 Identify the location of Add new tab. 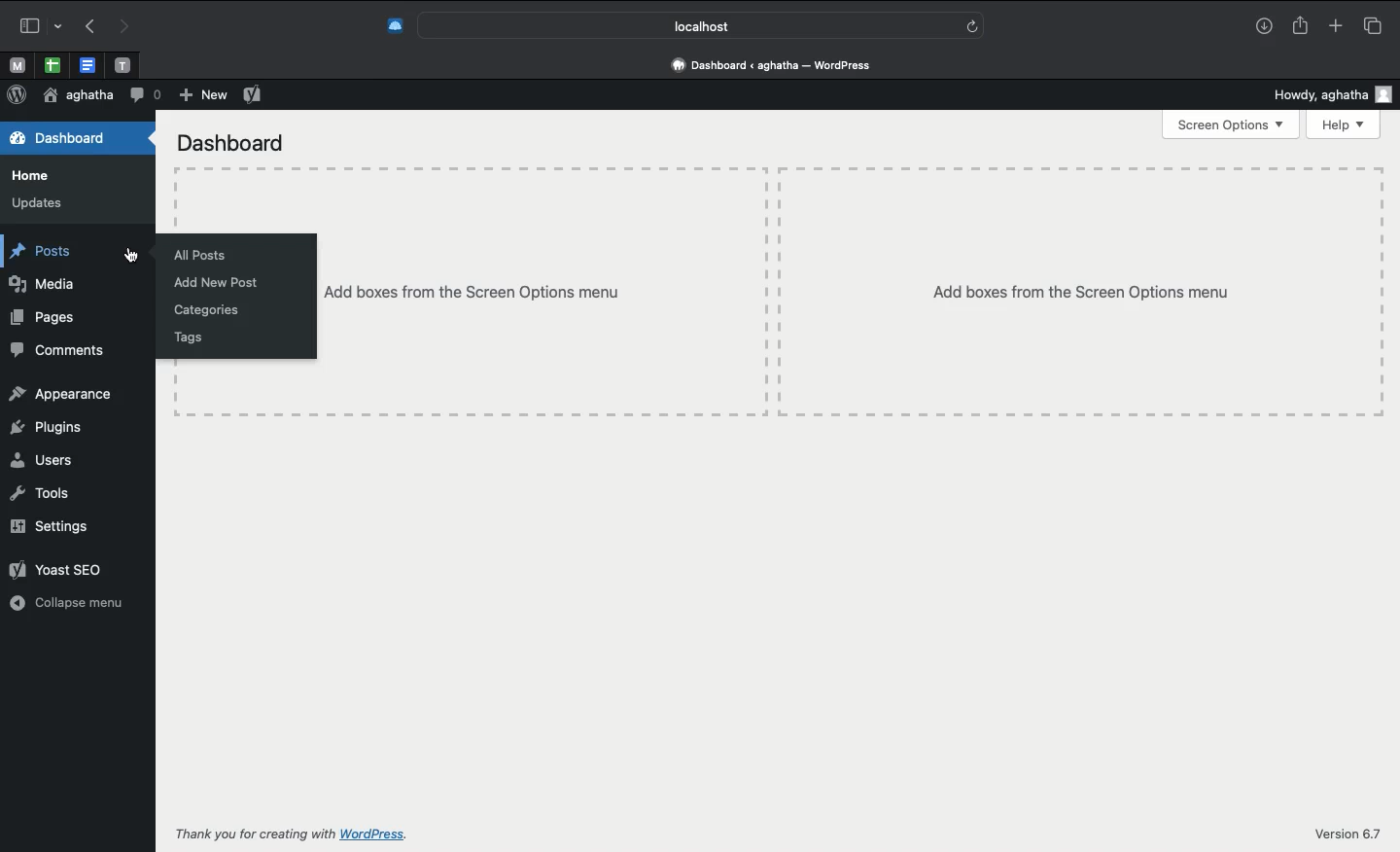
(1334, 25).